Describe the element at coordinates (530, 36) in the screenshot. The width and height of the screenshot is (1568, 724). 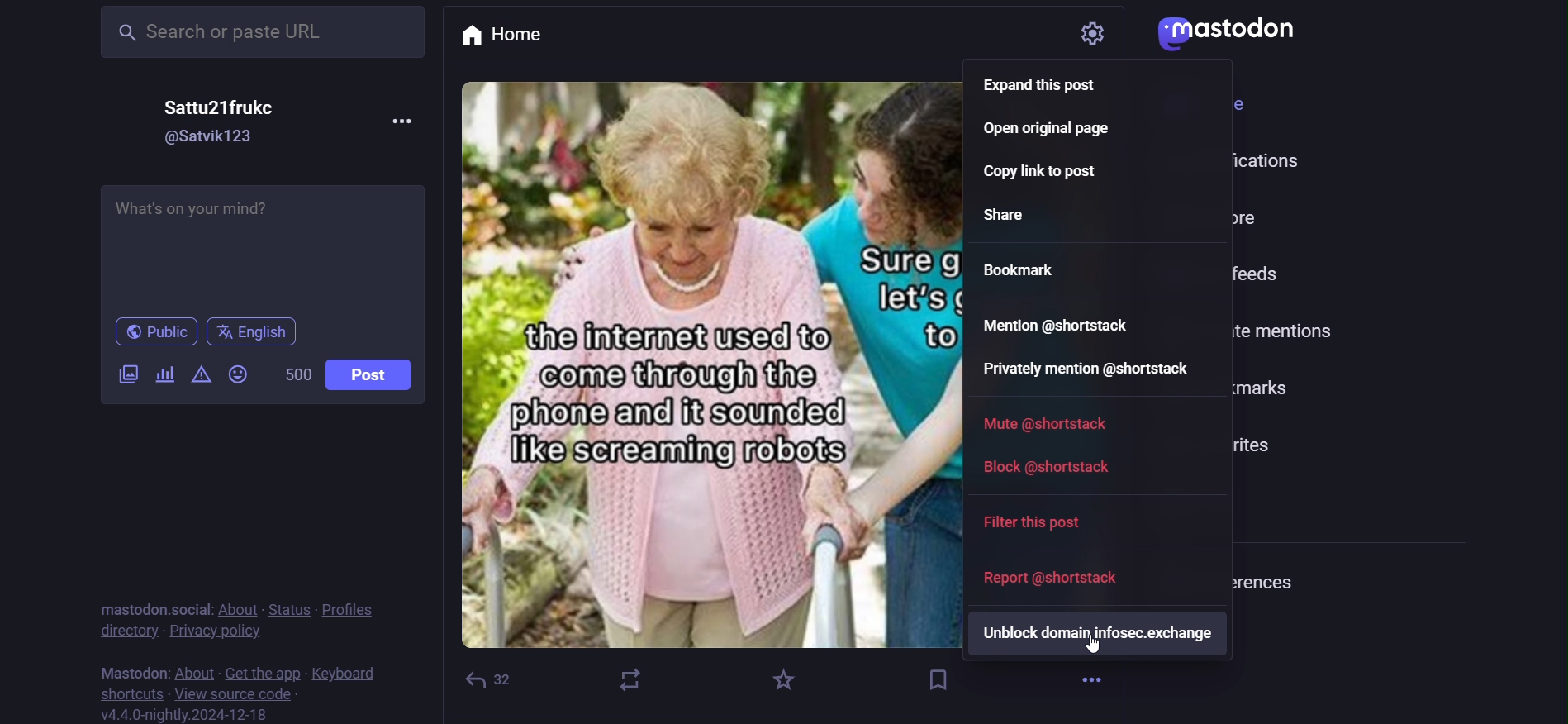
I see `home` at that location.